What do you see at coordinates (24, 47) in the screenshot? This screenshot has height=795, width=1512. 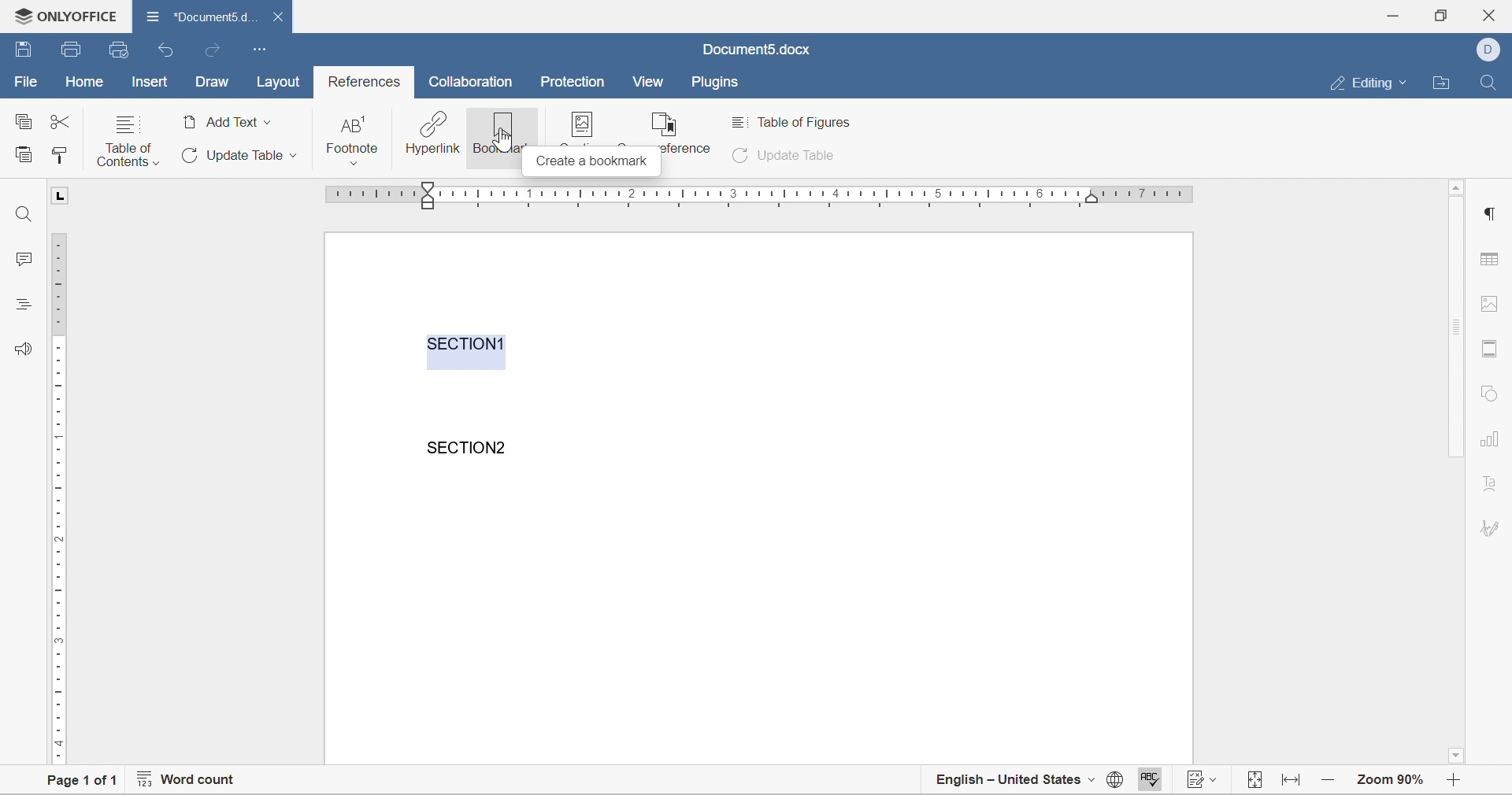 I see `save` at bounding box center [24, 47].